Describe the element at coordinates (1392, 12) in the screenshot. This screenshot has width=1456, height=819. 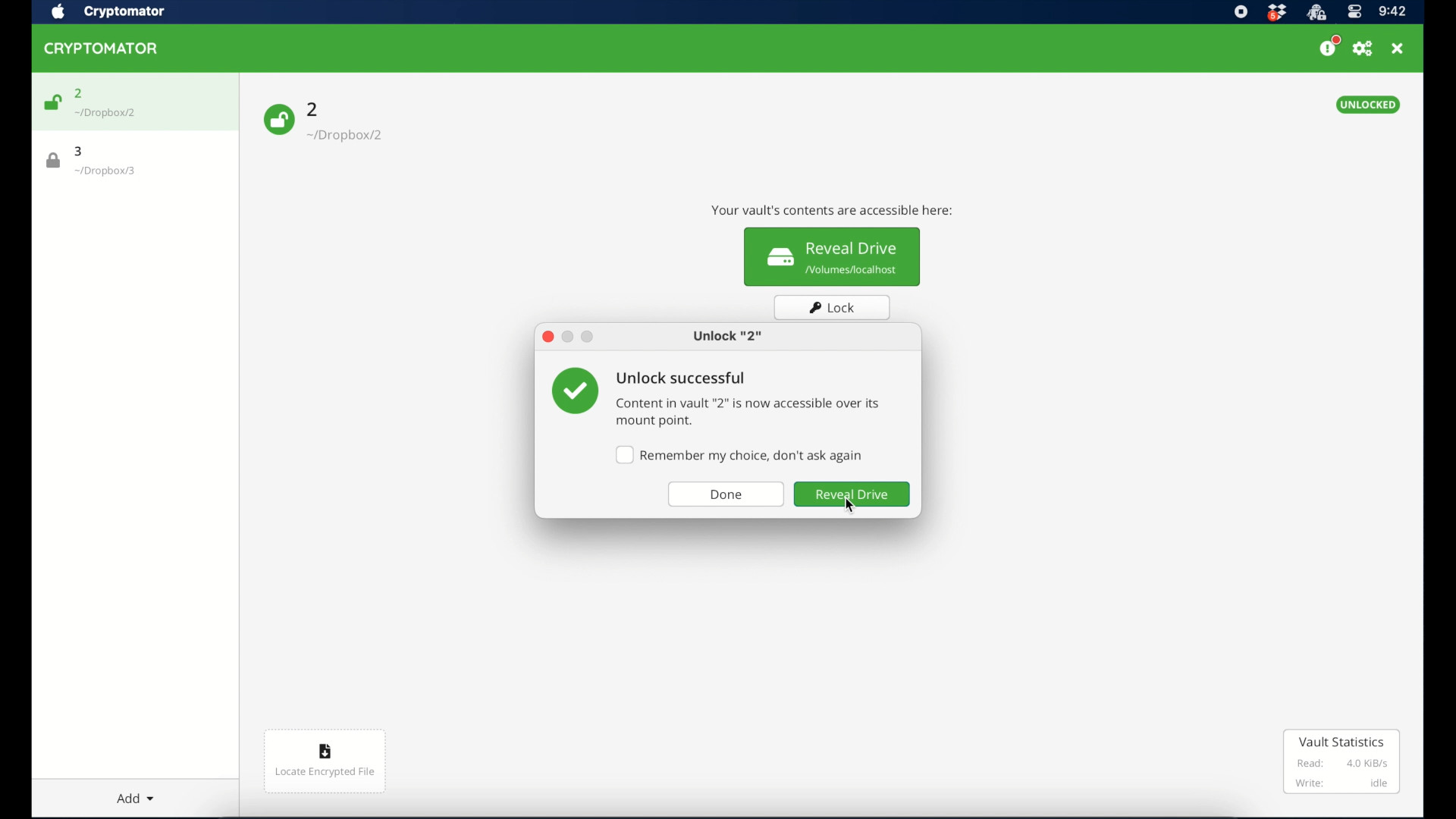
I see `time` at that location.